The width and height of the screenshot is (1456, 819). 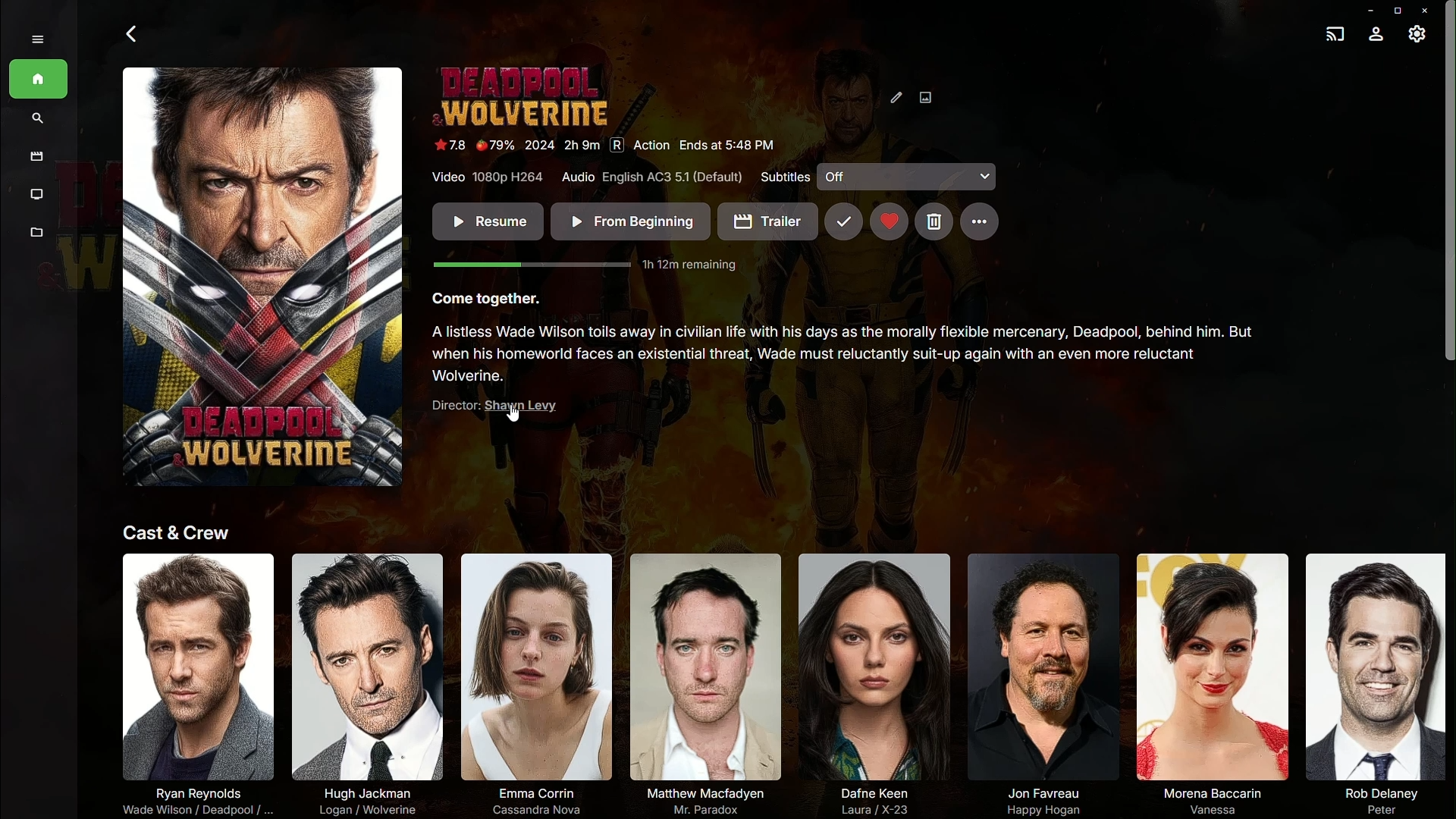 I want to click on Ryan Reynolds, so click(x=194, y=685).